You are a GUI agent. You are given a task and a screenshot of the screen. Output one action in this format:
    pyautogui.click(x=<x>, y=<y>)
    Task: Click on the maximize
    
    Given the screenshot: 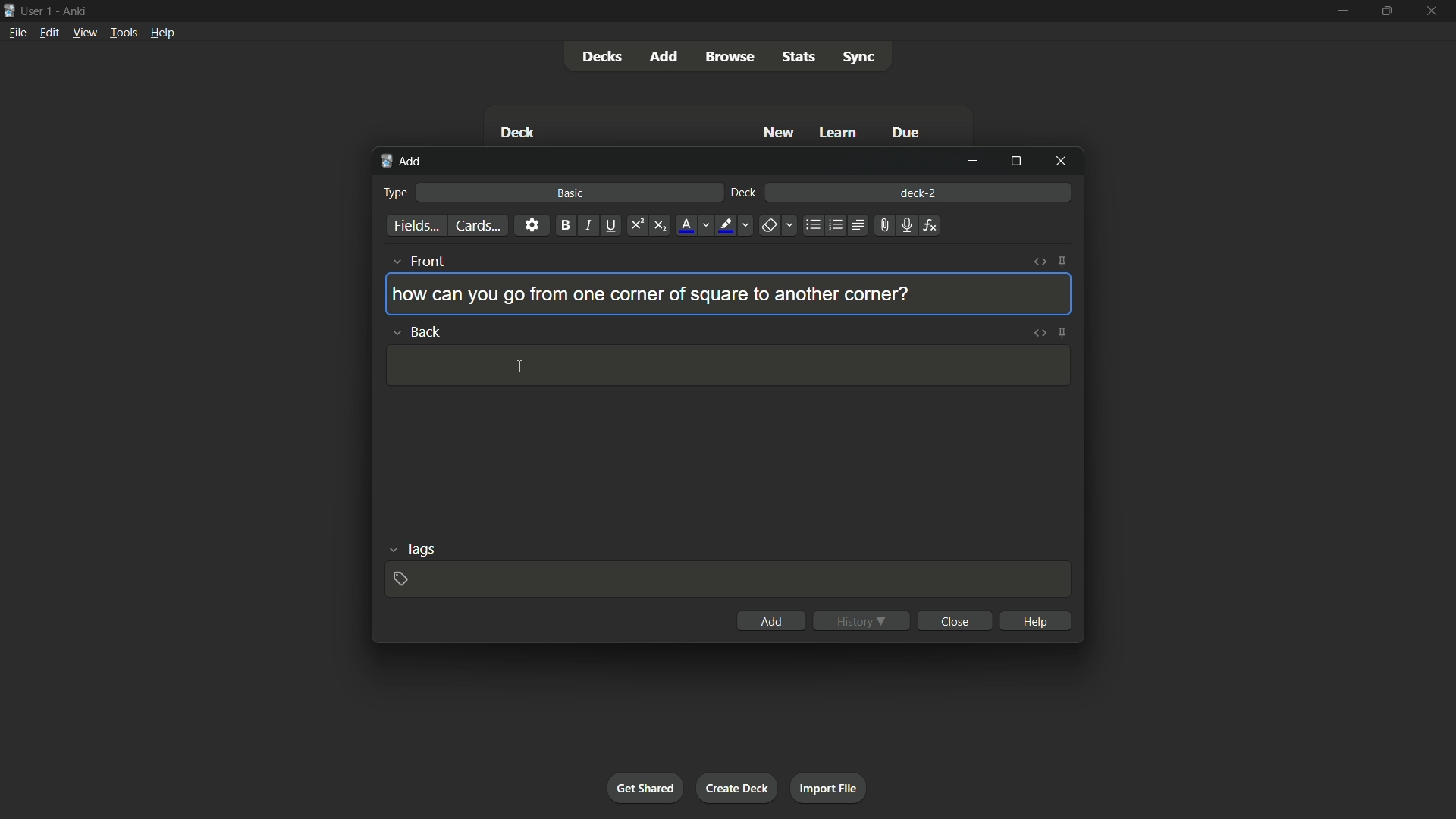 What is the action you would take?
    pyautogui.click(x=1017, y=160)
    